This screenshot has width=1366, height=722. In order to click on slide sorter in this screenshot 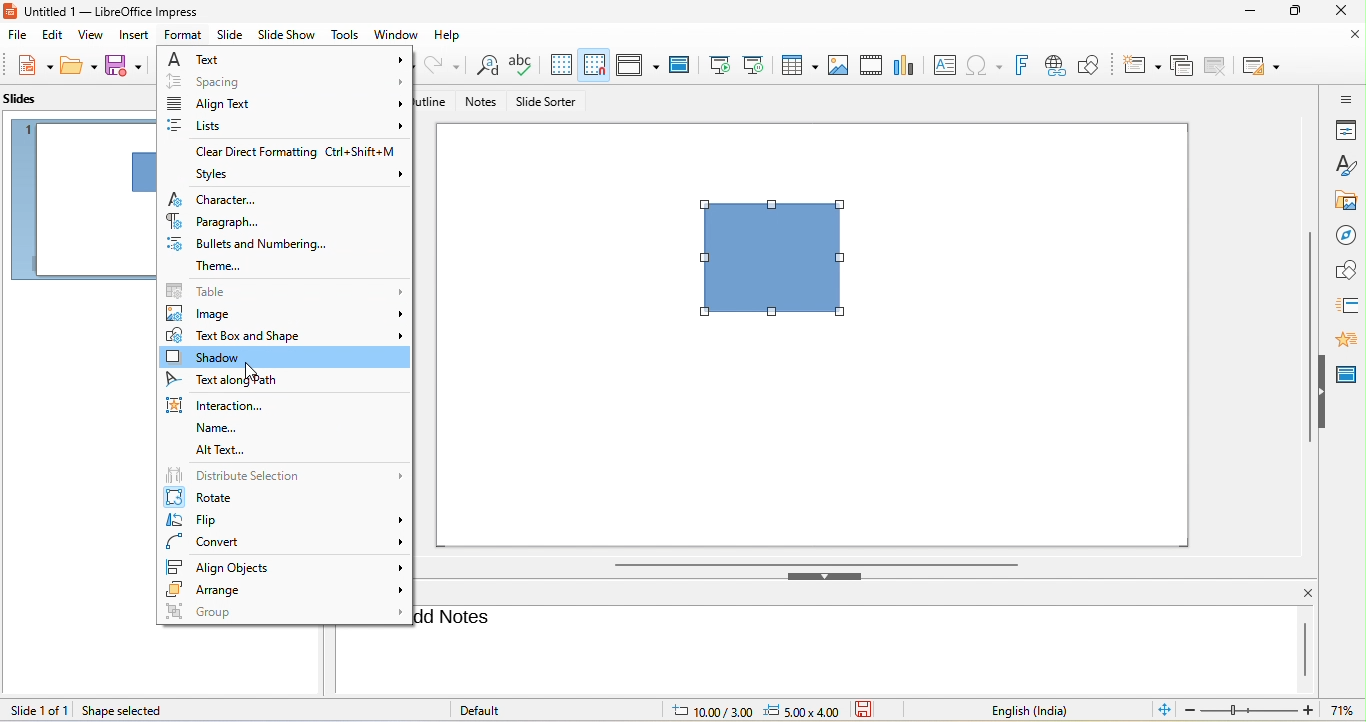, I will do `click(549, 102)`.